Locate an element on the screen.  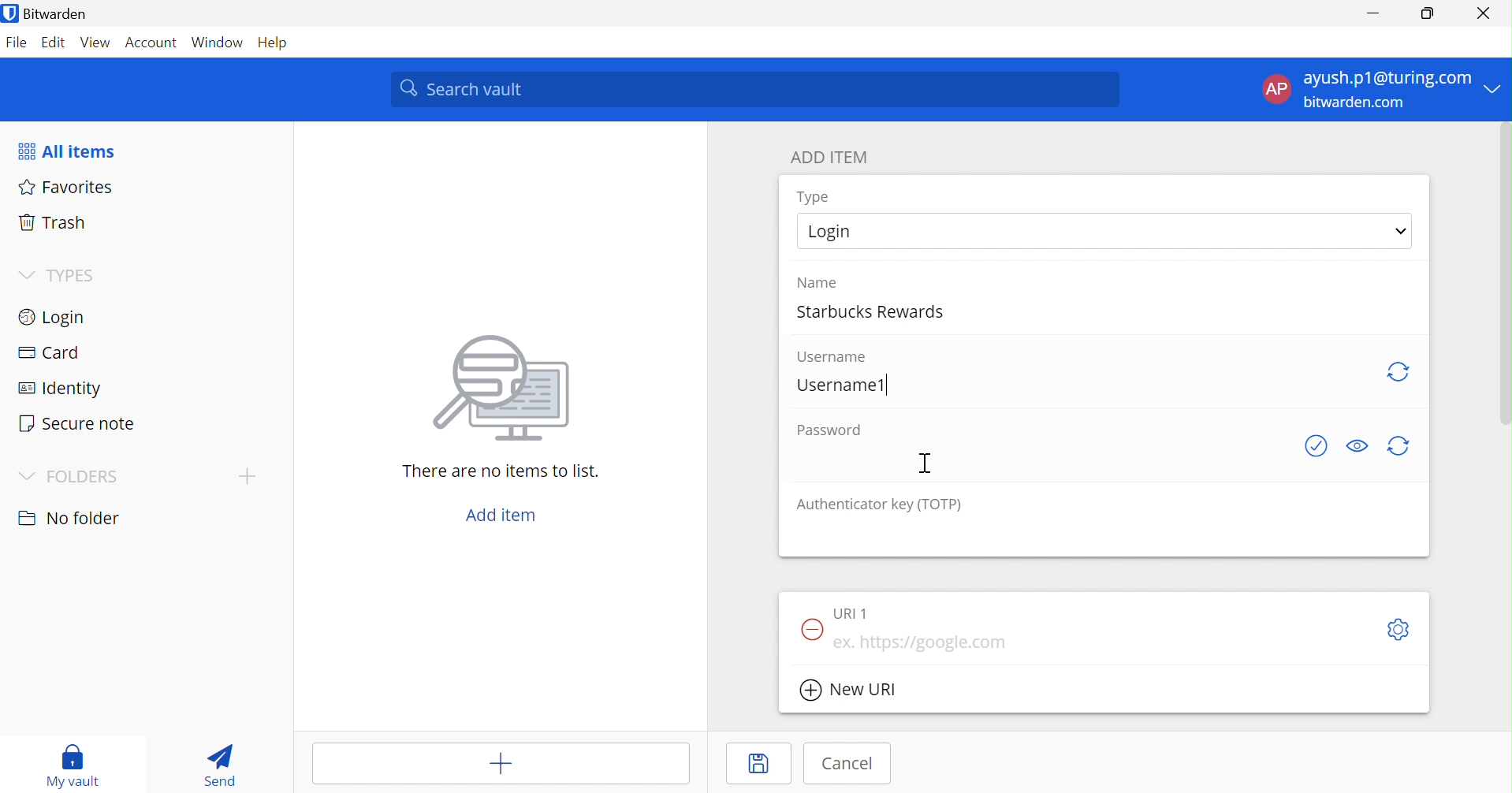
Window is located at coordinates (220, 43).